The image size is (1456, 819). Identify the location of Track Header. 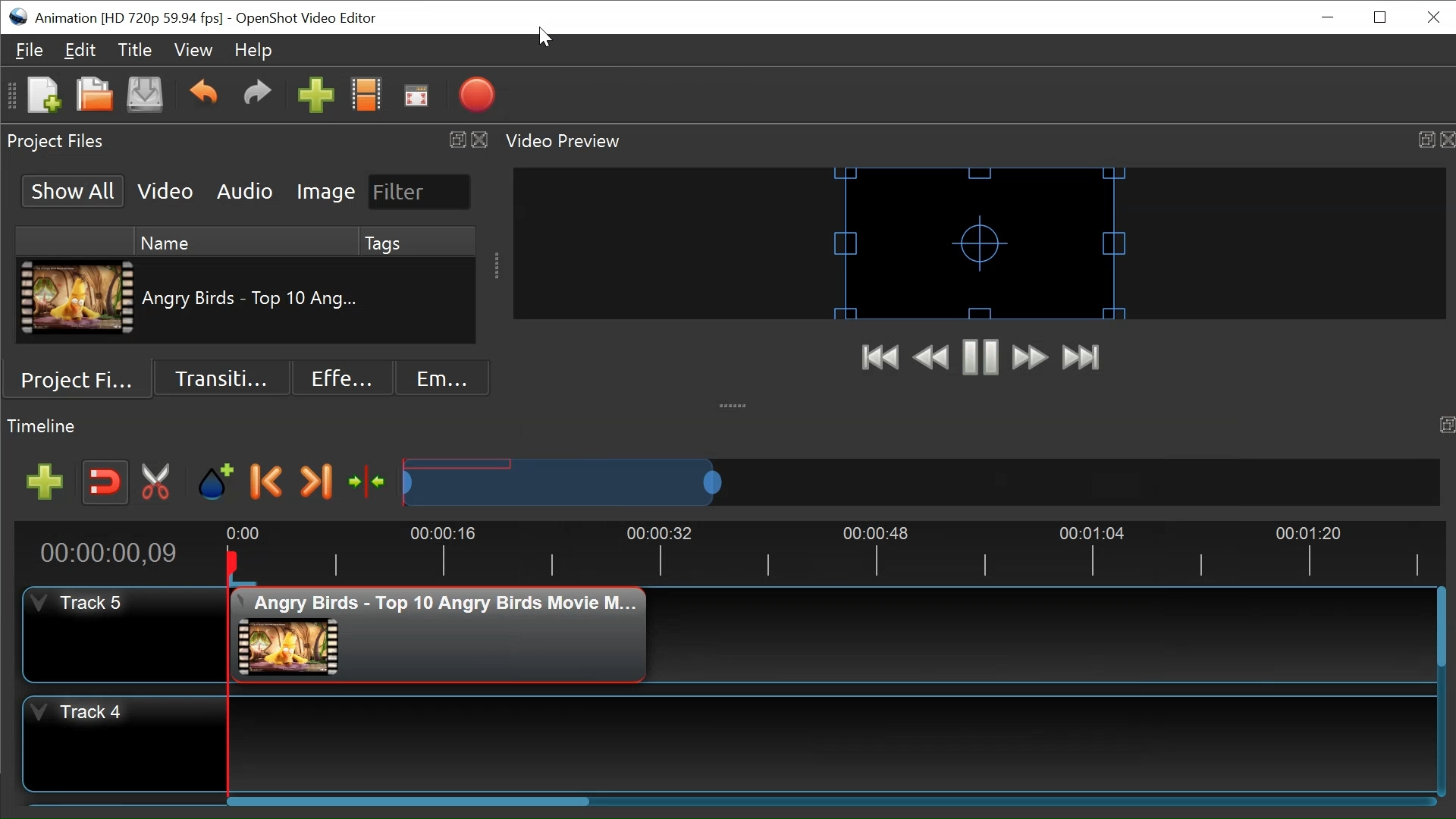
(124, 634).